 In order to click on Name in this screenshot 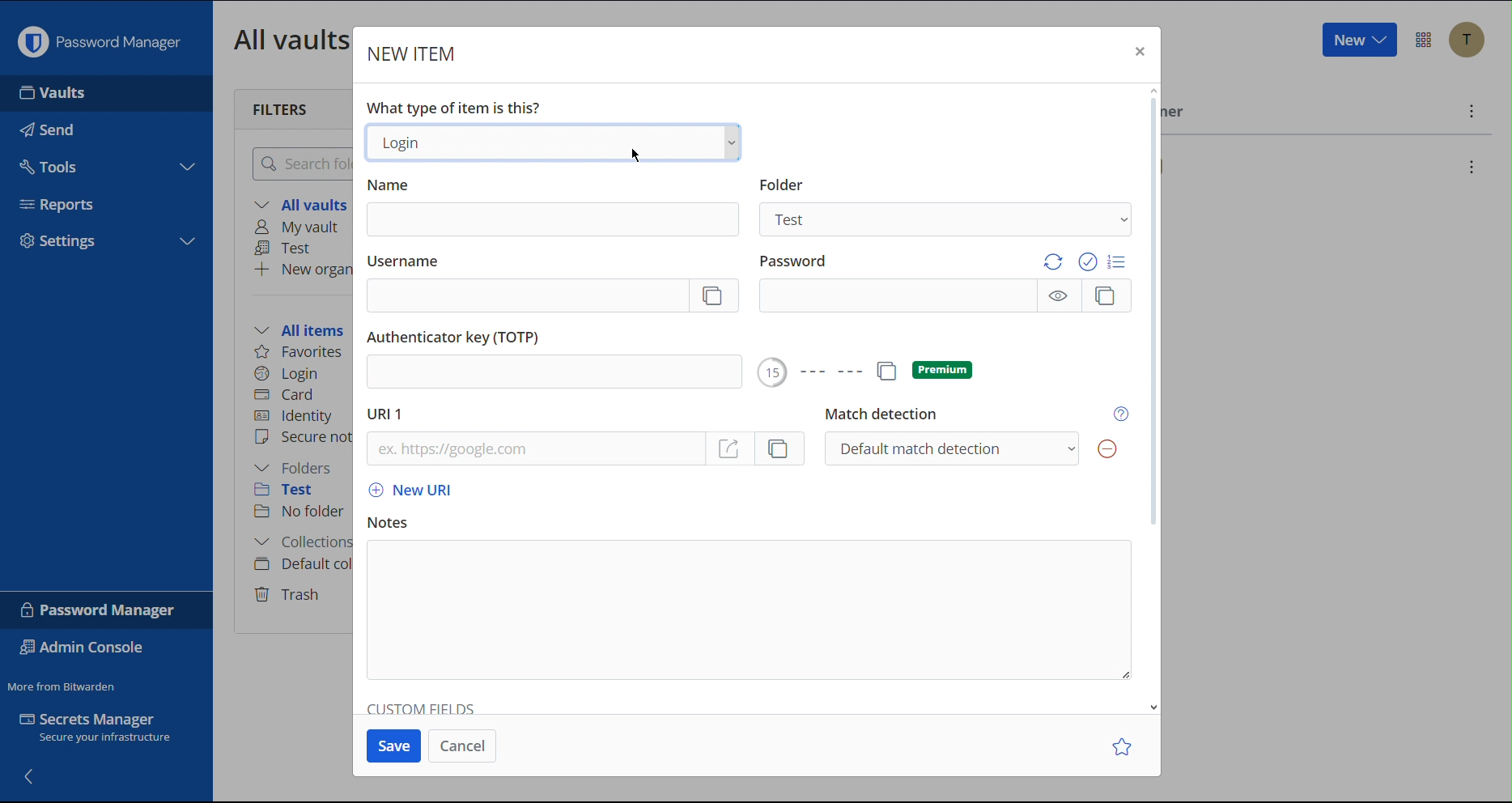, I will do `click(389, 186)`.